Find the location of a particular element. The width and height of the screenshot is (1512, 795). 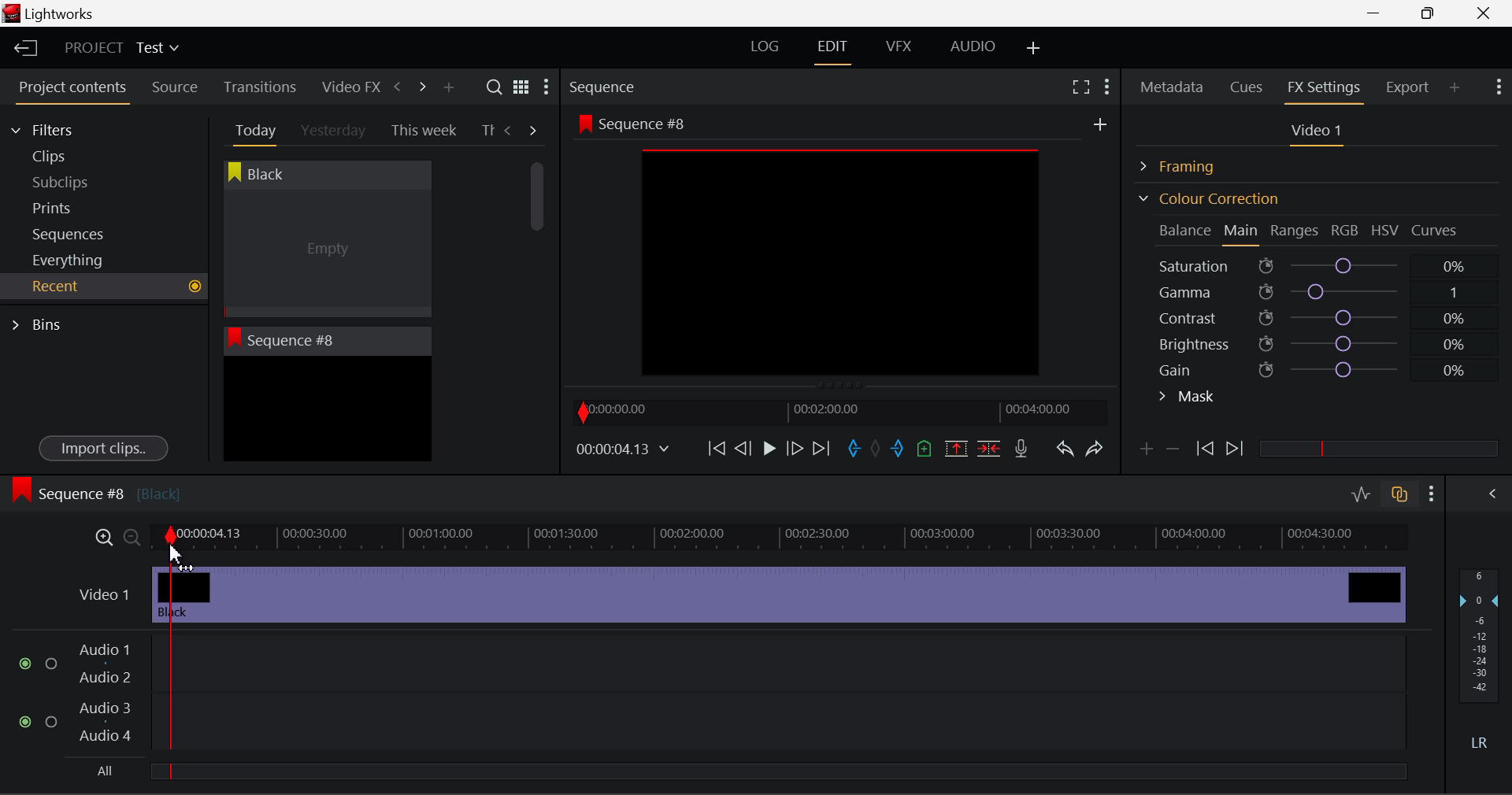

Sequence Preview Section is located at coordinates (606, 88).